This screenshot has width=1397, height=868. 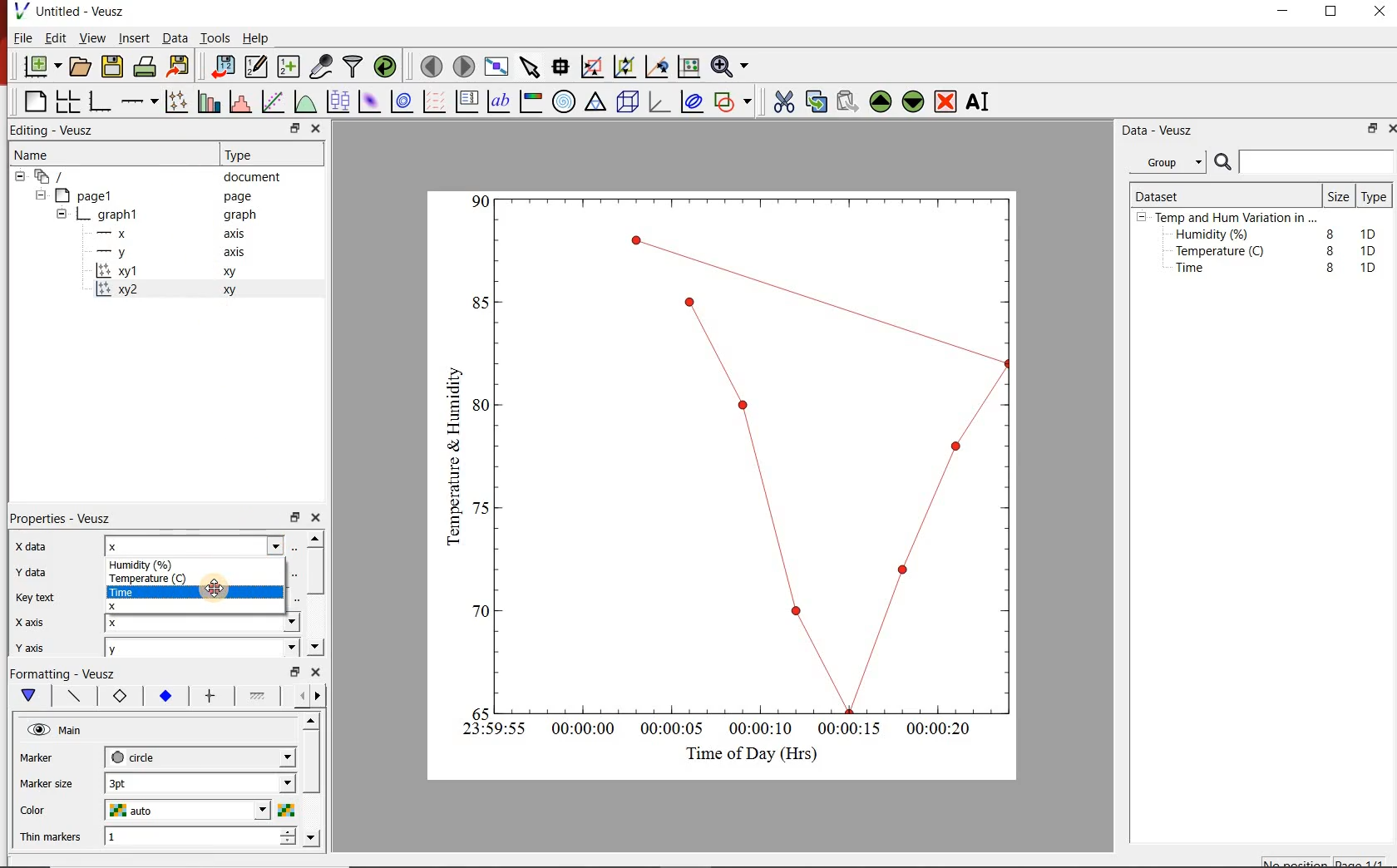 I want to click on copy the selected widget, so click(x=816, y=101).